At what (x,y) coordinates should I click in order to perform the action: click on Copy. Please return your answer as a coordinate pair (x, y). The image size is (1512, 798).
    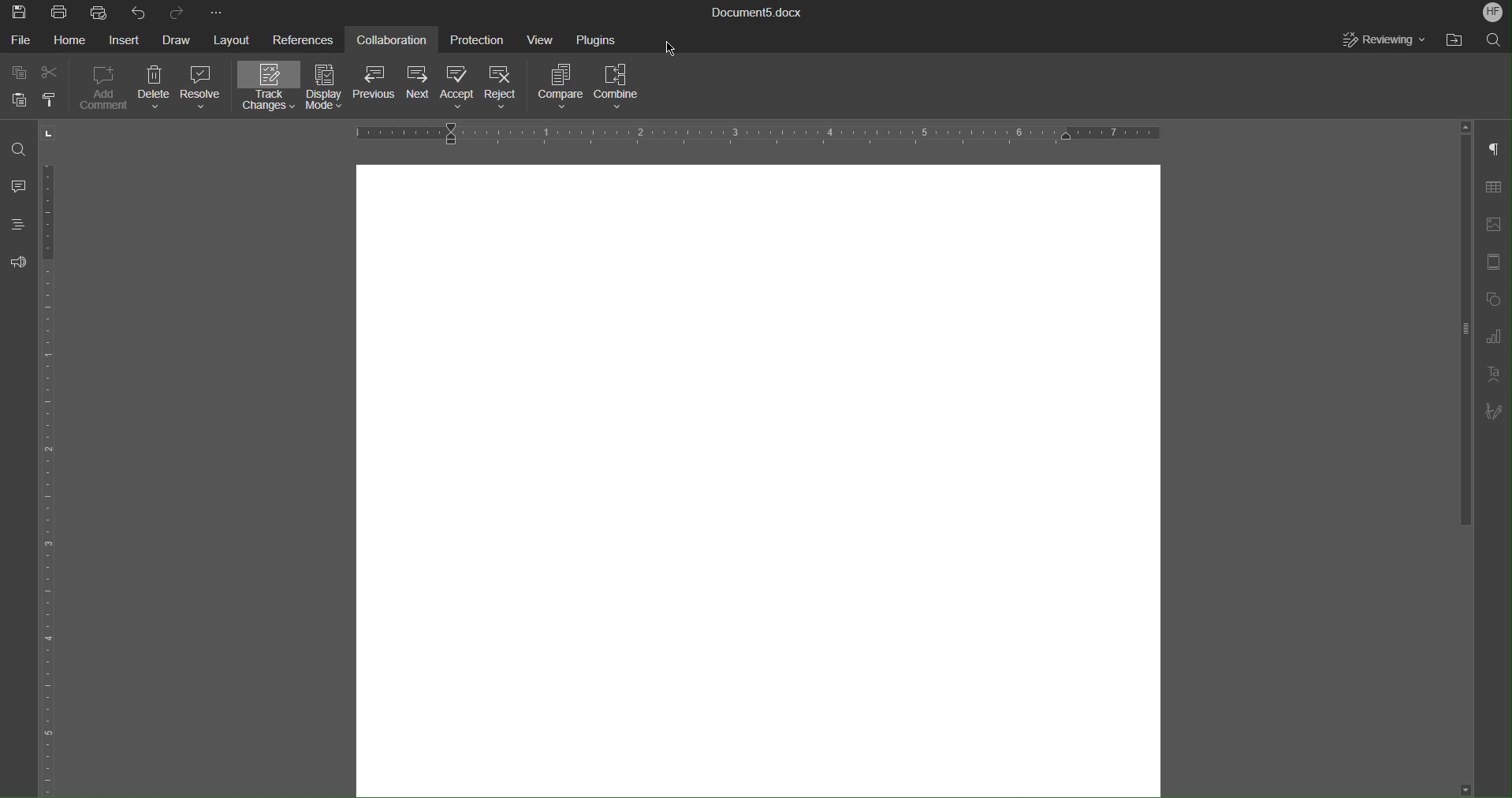
    Looking at the image, I should click on (17, 70).